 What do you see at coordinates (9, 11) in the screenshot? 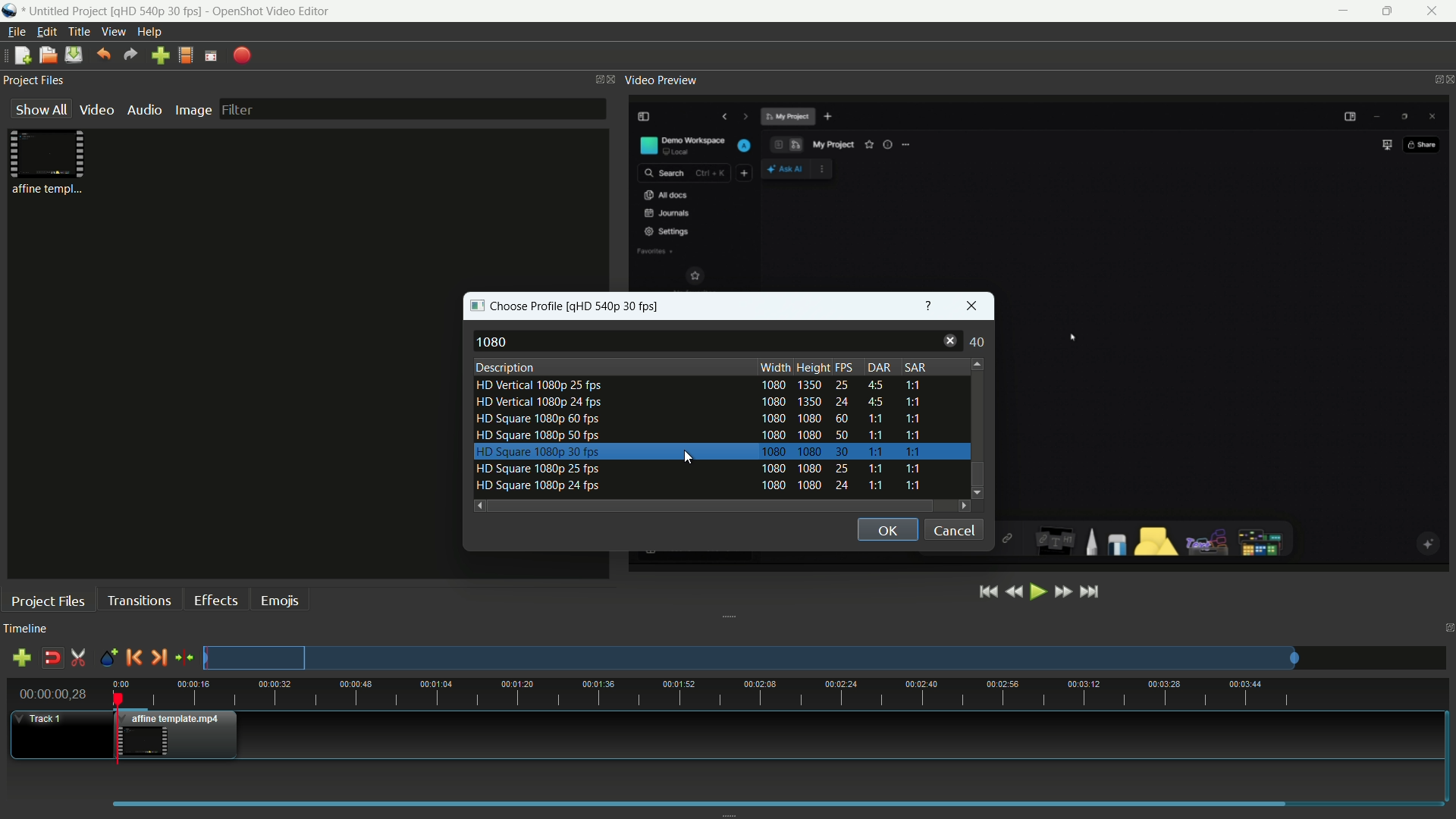
I see `app icon` at bounding box center [9, 11].